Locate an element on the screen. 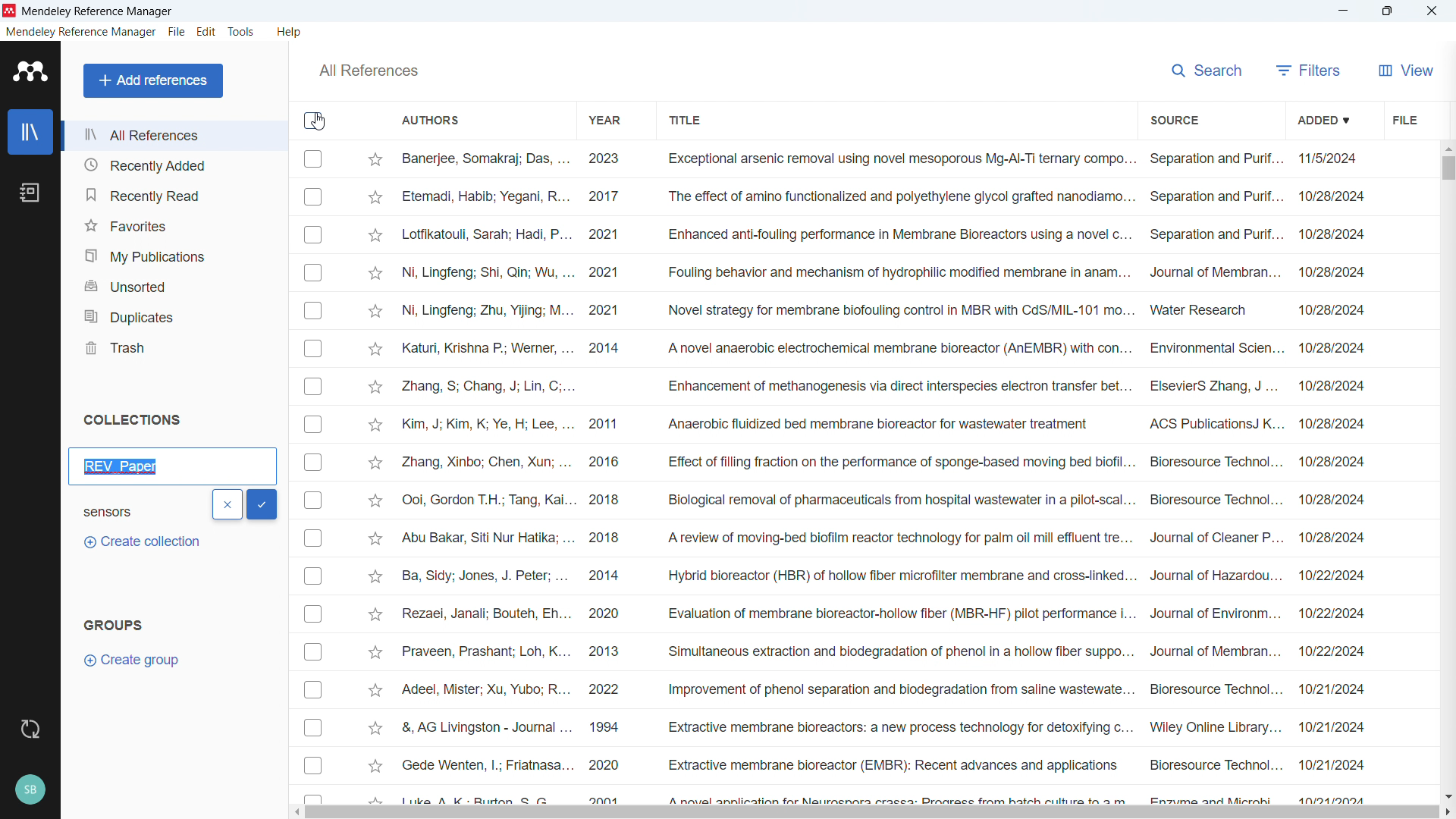  My publications  is located at coordinates (174, 254).